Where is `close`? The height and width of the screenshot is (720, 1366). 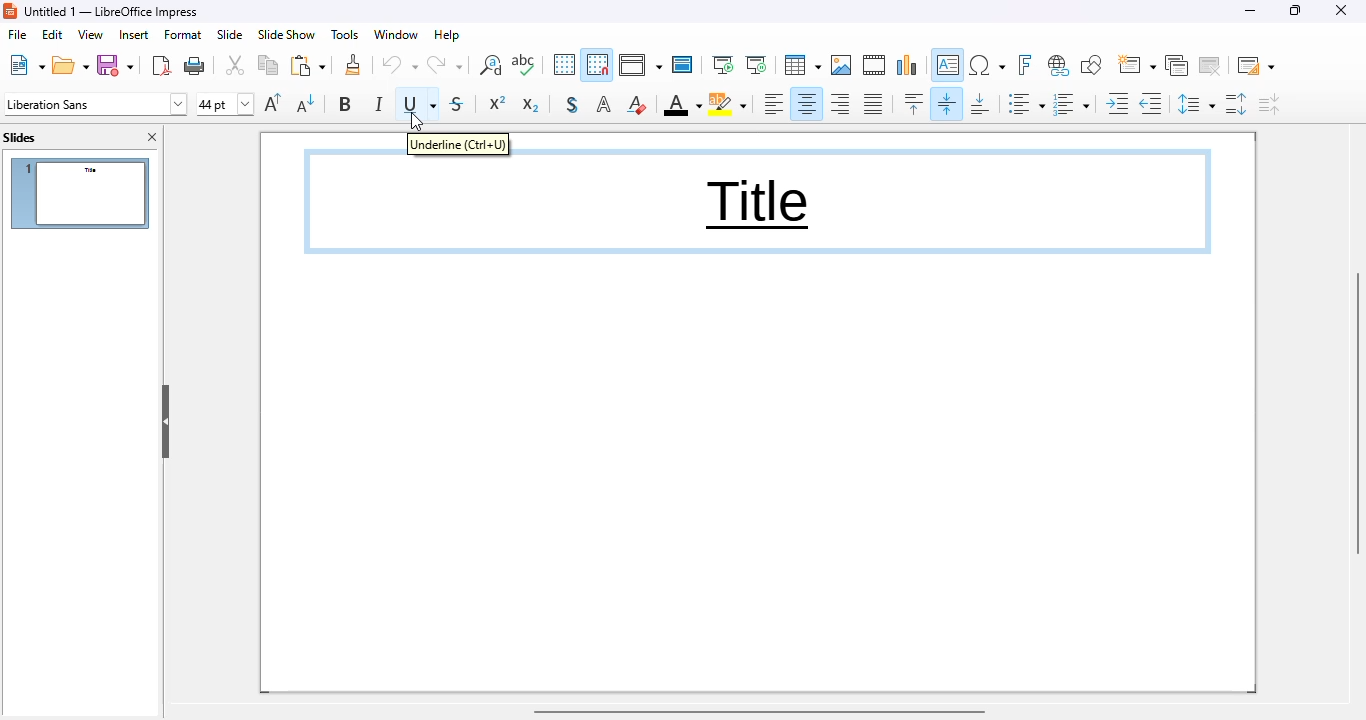 close is located at coordinates (1341, 10).